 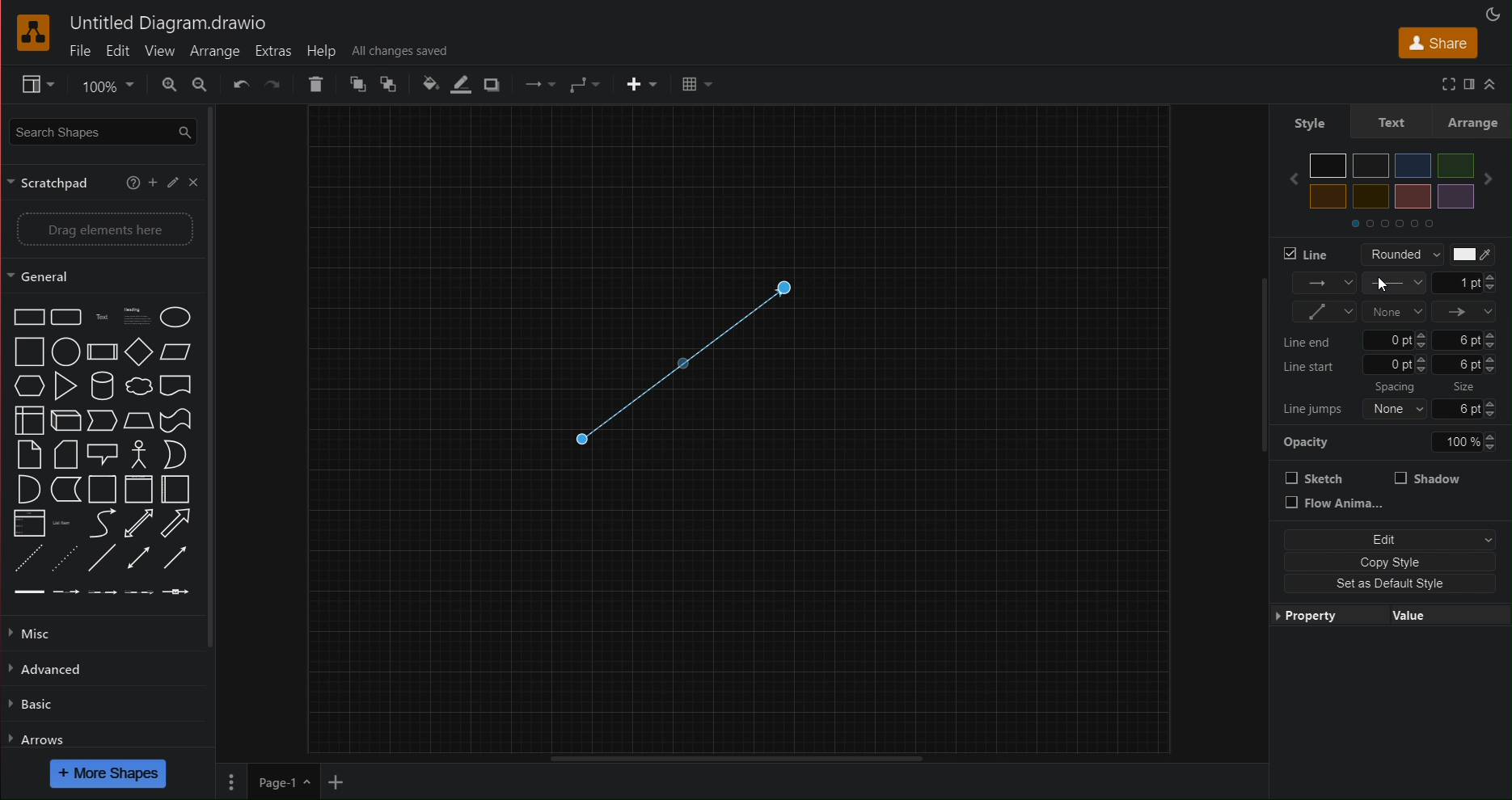 What do you see at coordinates (201, 84) in the screenshot?
I see `Zoom Out` at bounding box center [201, 84].